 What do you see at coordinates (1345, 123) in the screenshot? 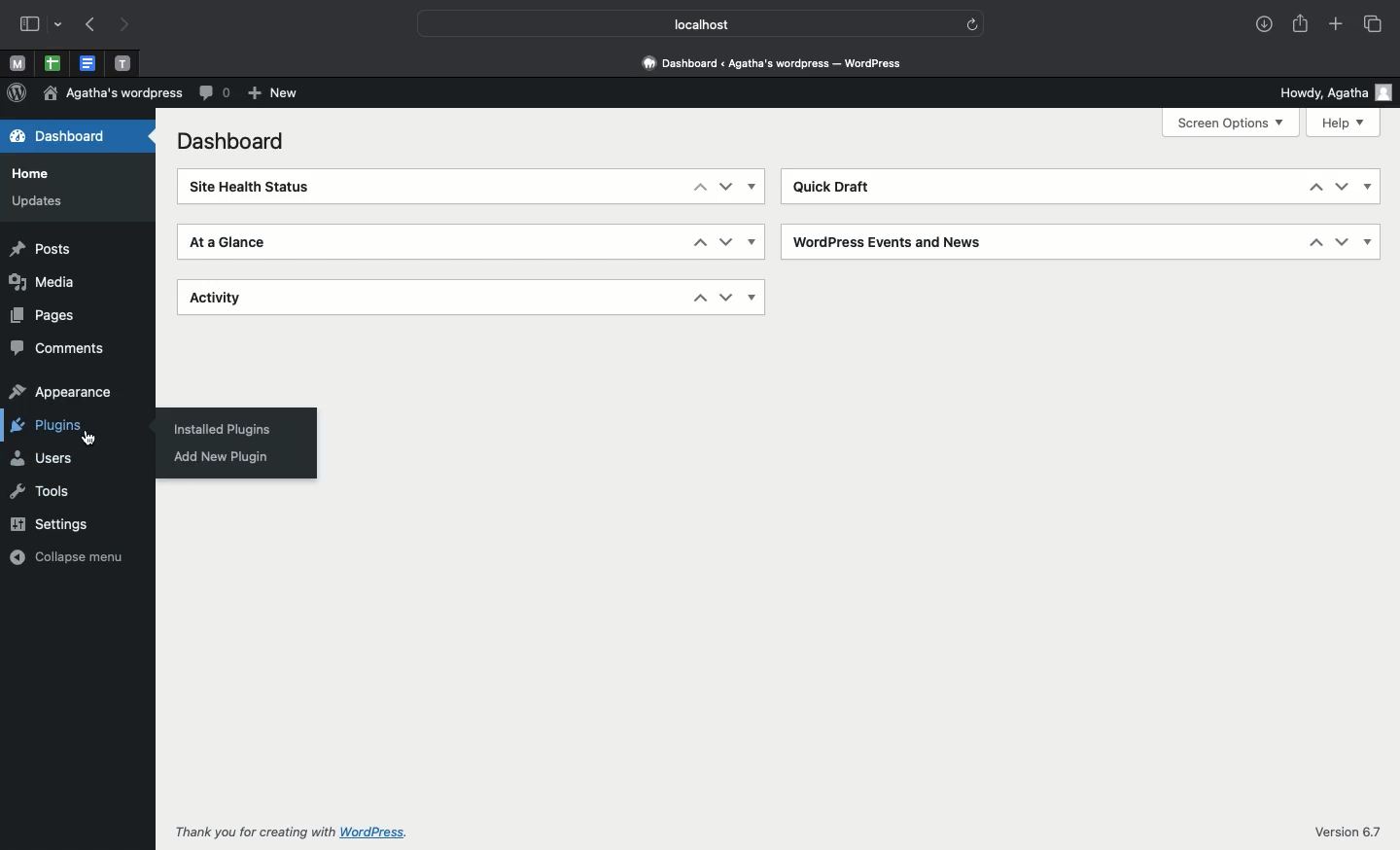
I see `Help` at bounding box center [1345, 123].